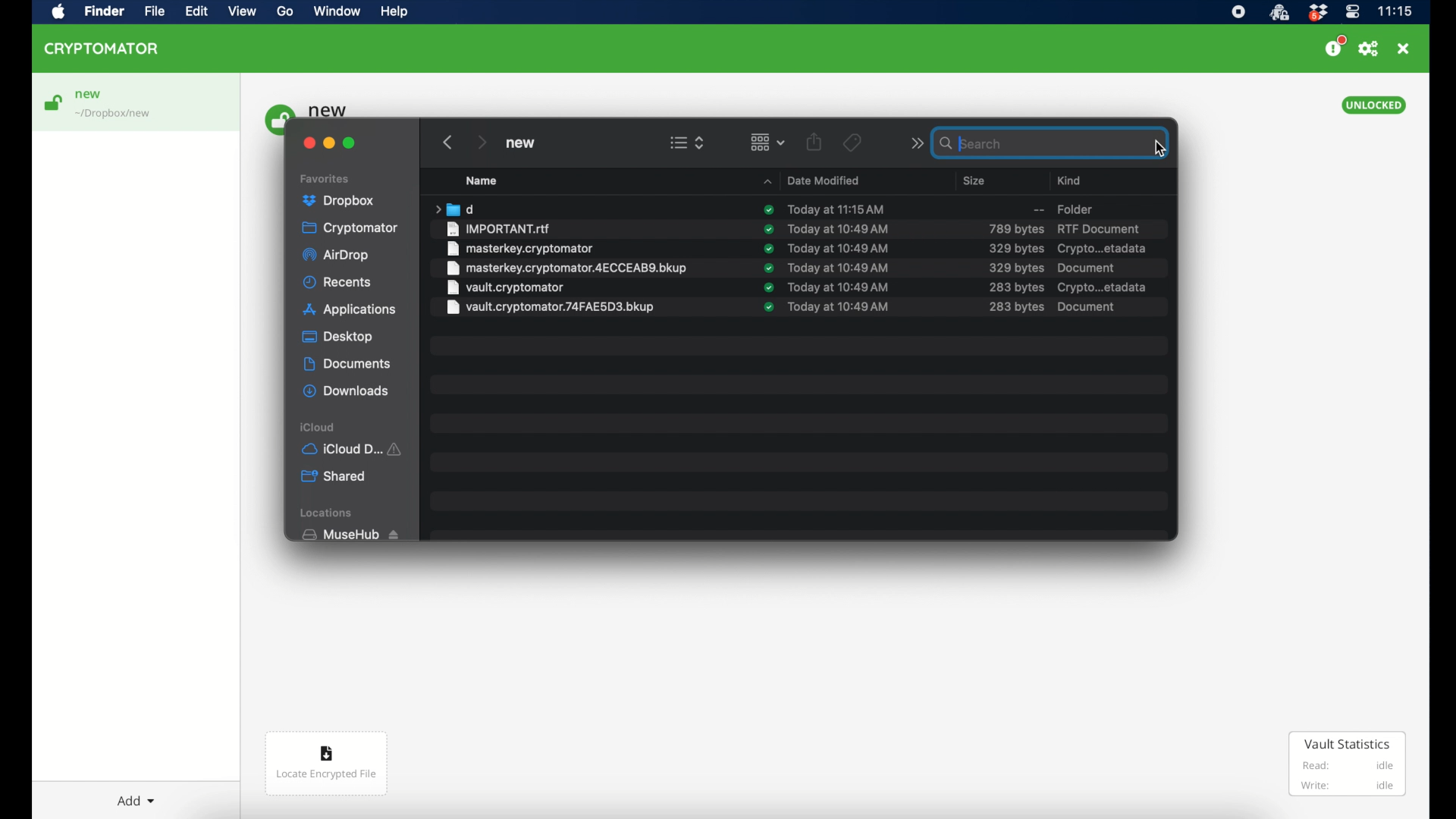 This screenshot has height=819, width=1456. I want to click on Name, so click(486, 184).